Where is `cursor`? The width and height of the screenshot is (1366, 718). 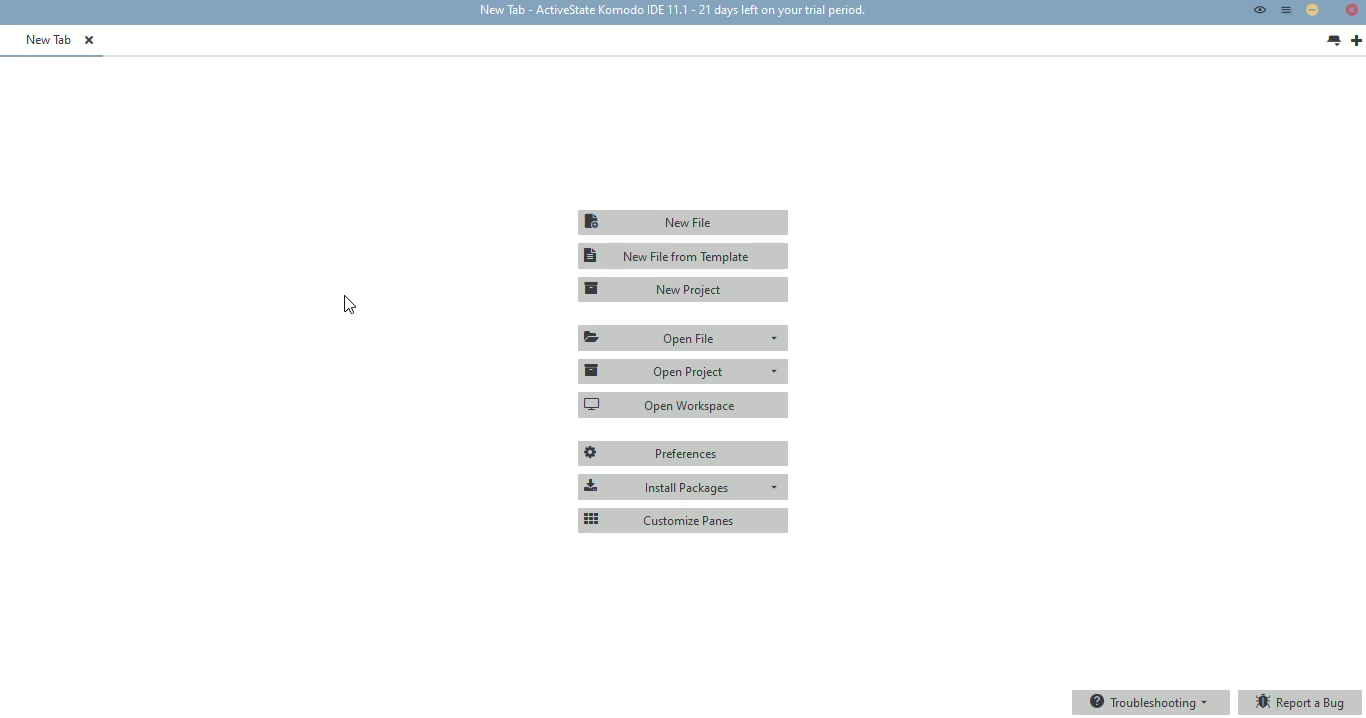
cursor is located at coordinates (350, 306).